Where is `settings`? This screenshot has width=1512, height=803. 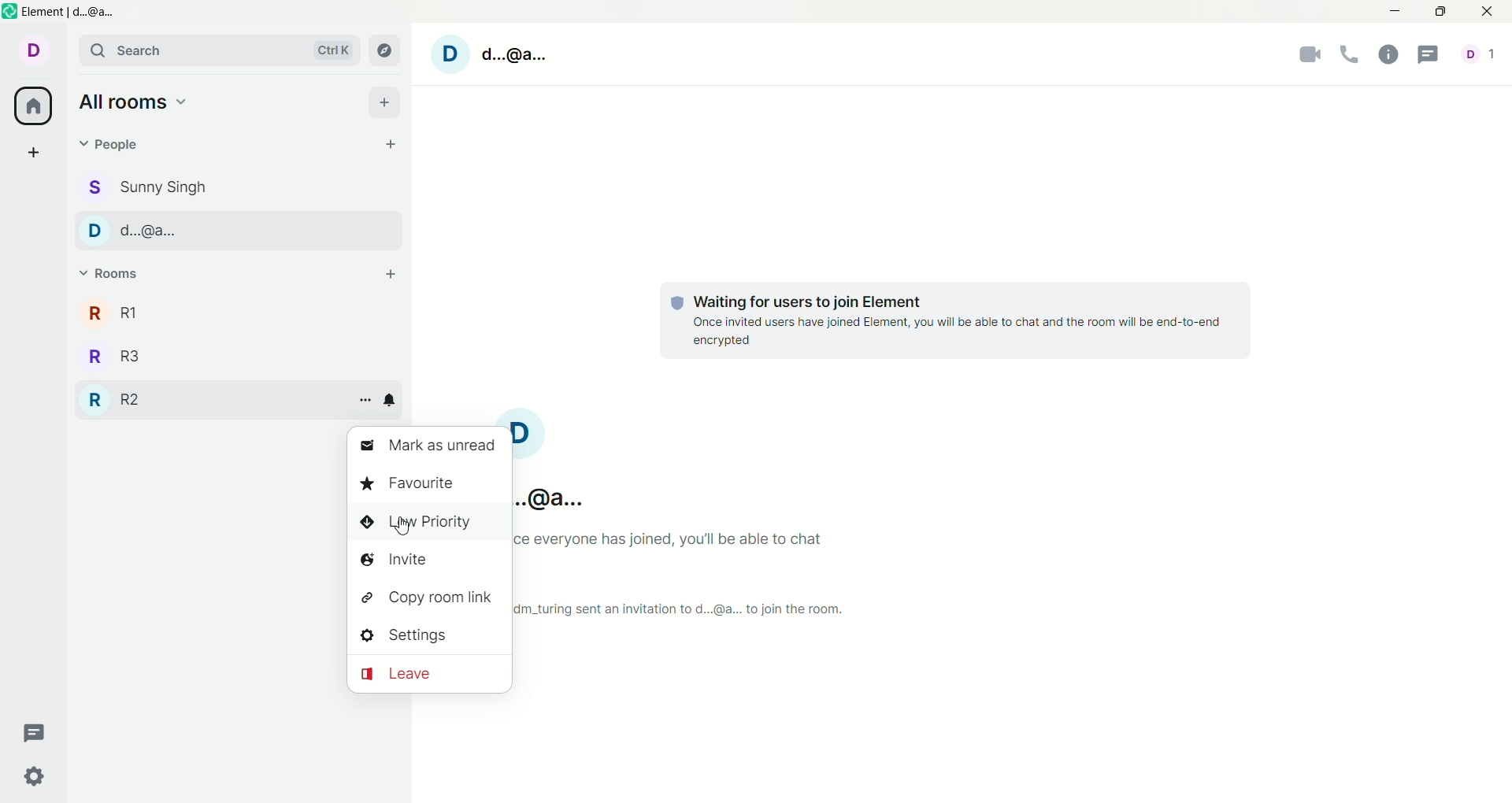 settings is located at coordinates (408, 636).